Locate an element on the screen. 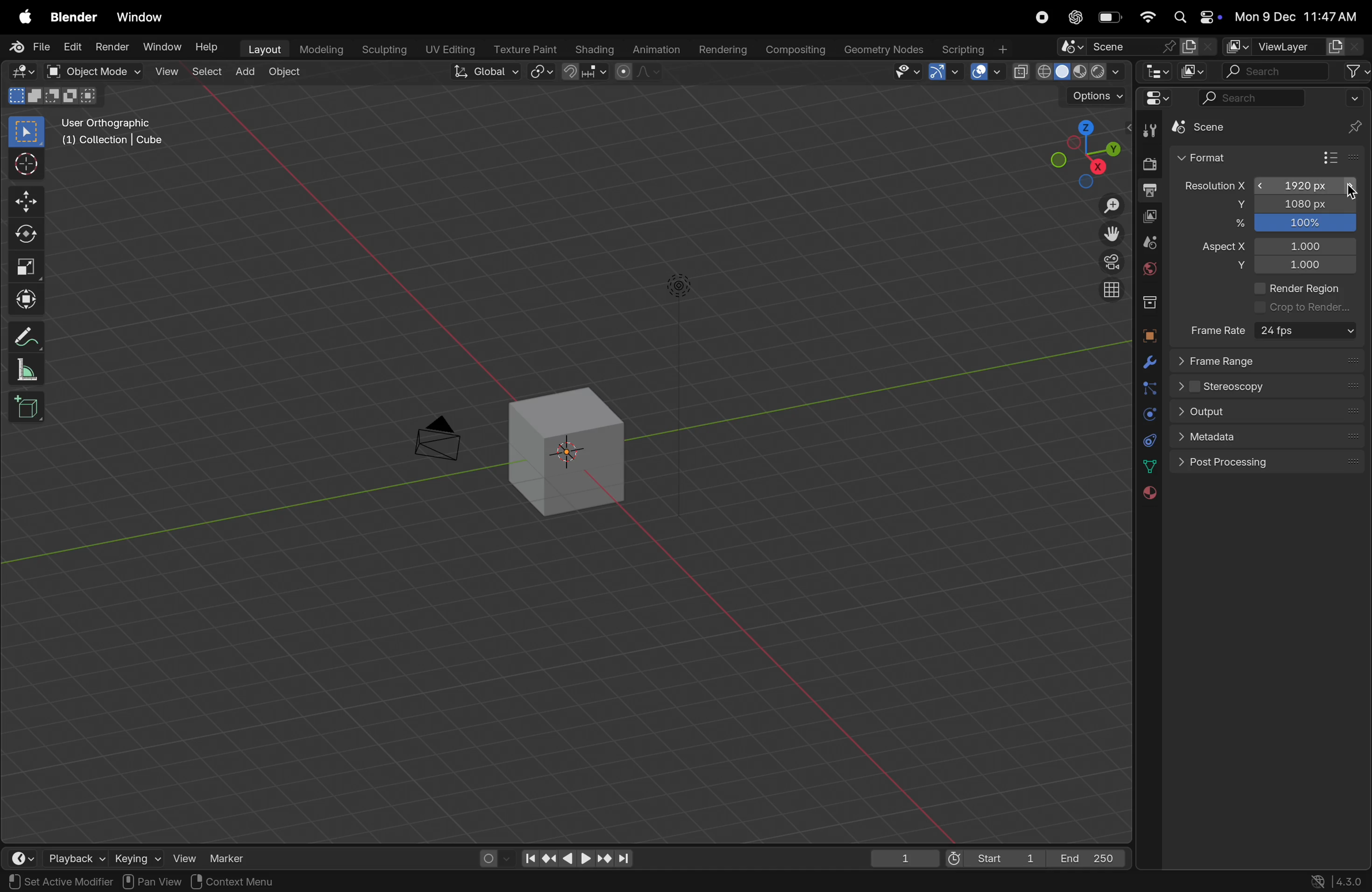 The height and width of the screenshot is (892, 1372). format presets is located at coordinates (1339, 157).